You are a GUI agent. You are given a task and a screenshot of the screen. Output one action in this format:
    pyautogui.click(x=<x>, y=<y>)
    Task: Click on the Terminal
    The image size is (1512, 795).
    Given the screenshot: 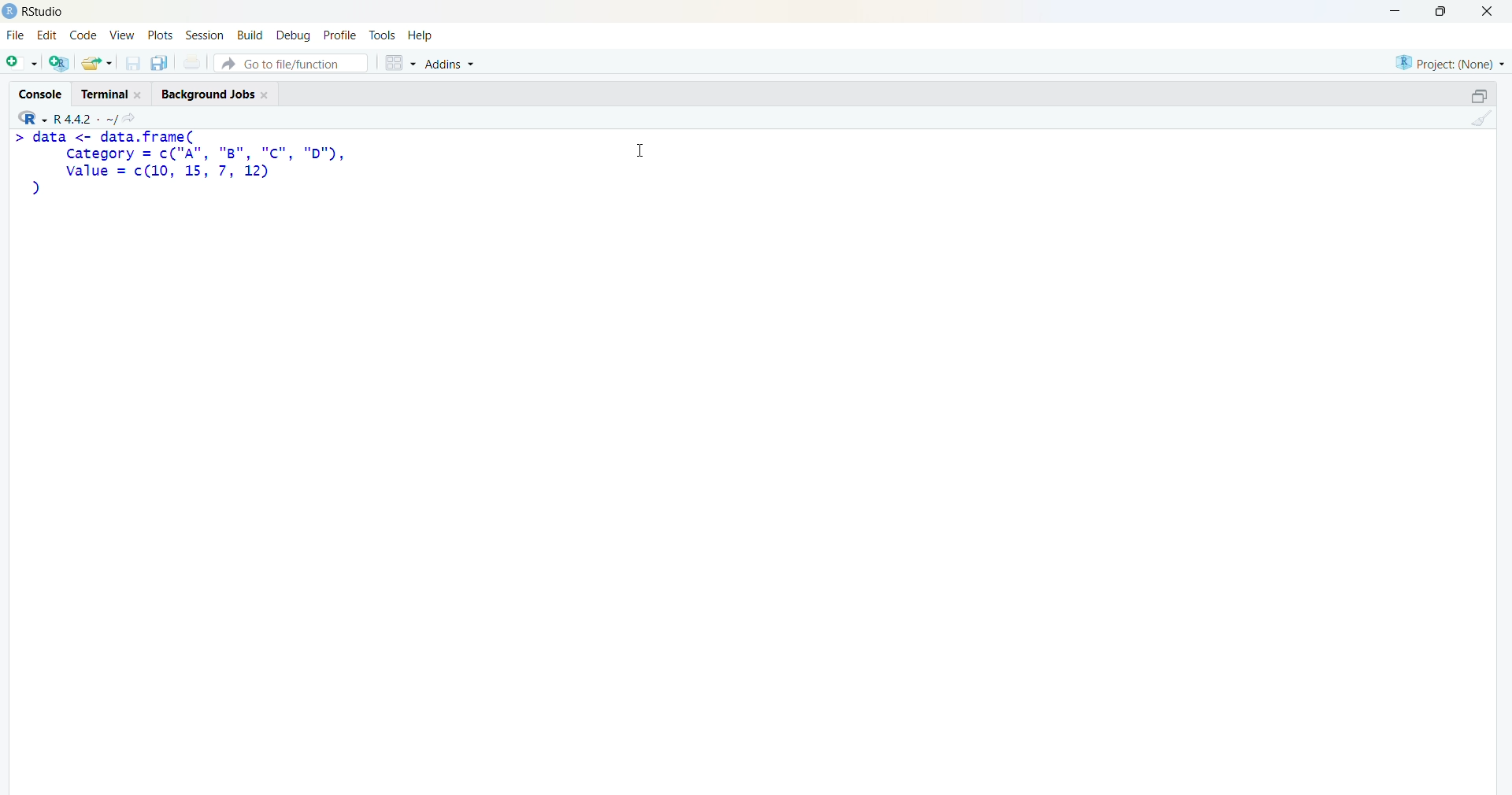 What is the action you would take?
    pyautogui.click(x=109, y=92)
    